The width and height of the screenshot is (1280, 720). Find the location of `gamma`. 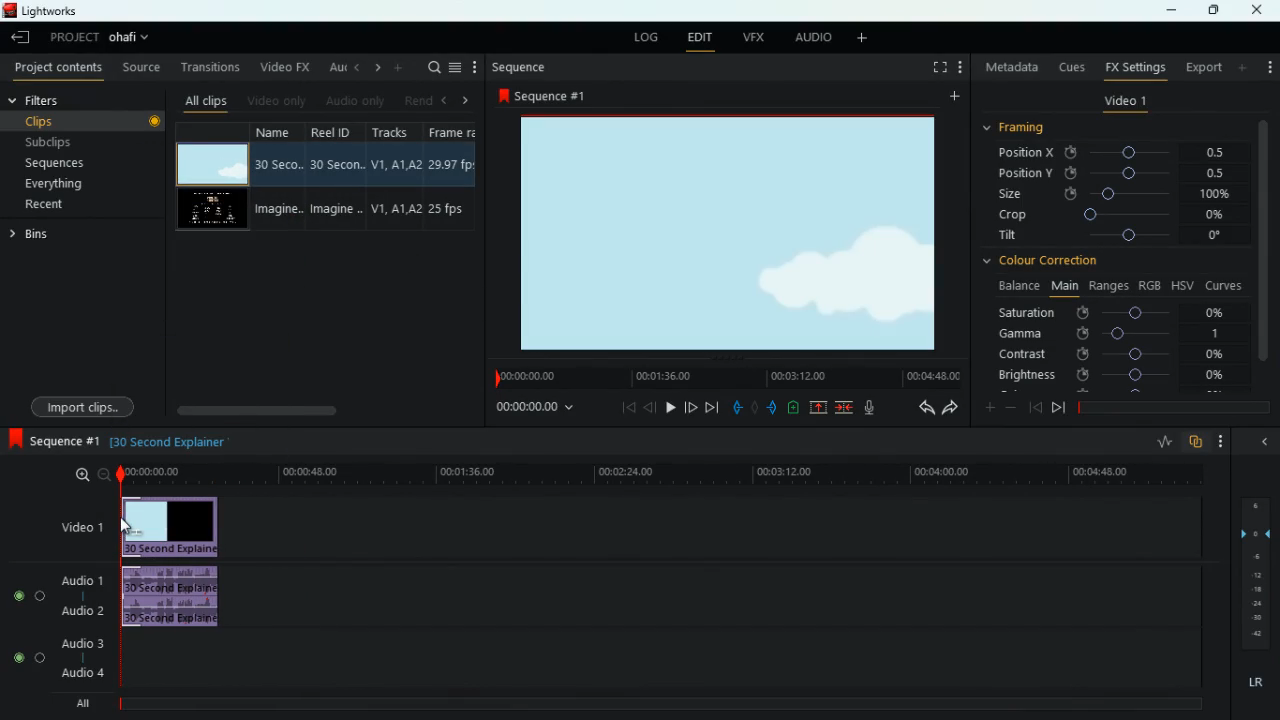

gamma is located at coordinates (1122, 334).